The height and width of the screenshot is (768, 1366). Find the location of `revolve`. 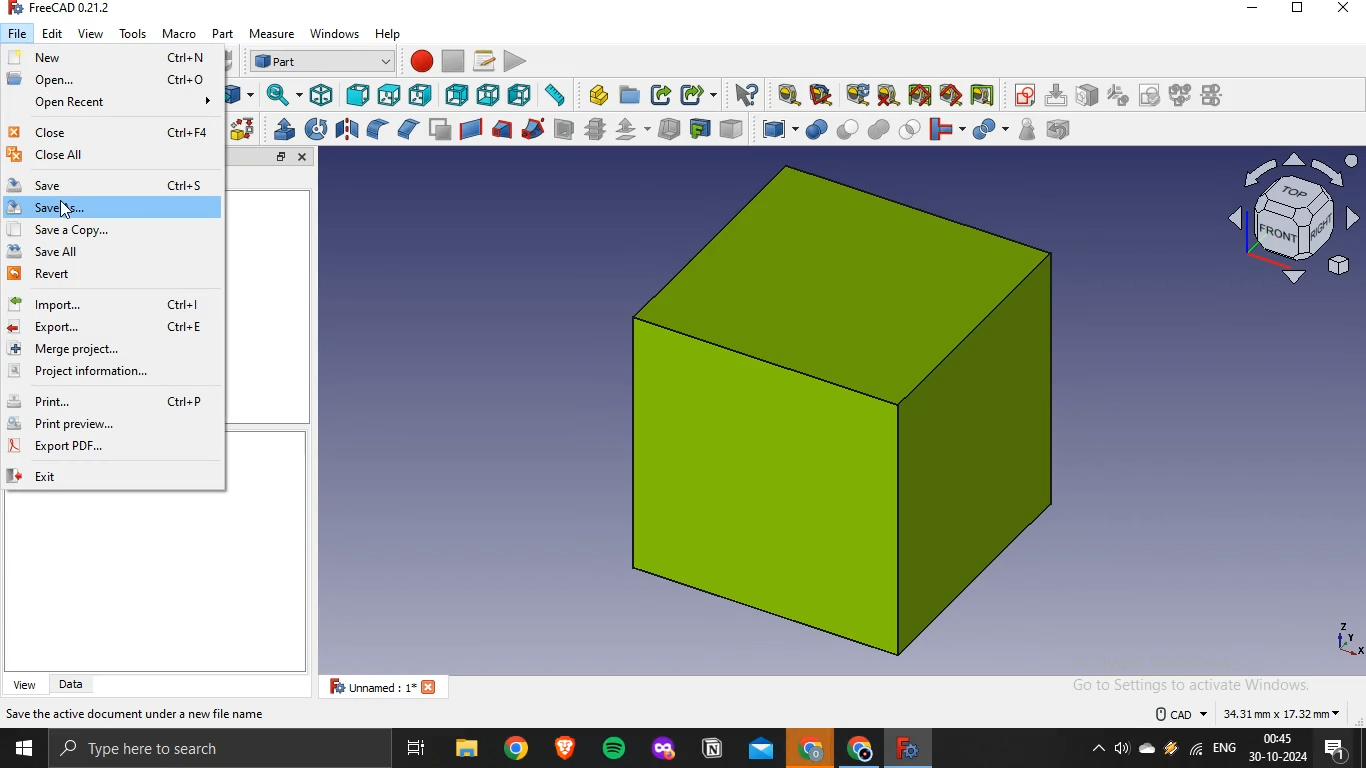

revolve is located at coordinates (316, 129).